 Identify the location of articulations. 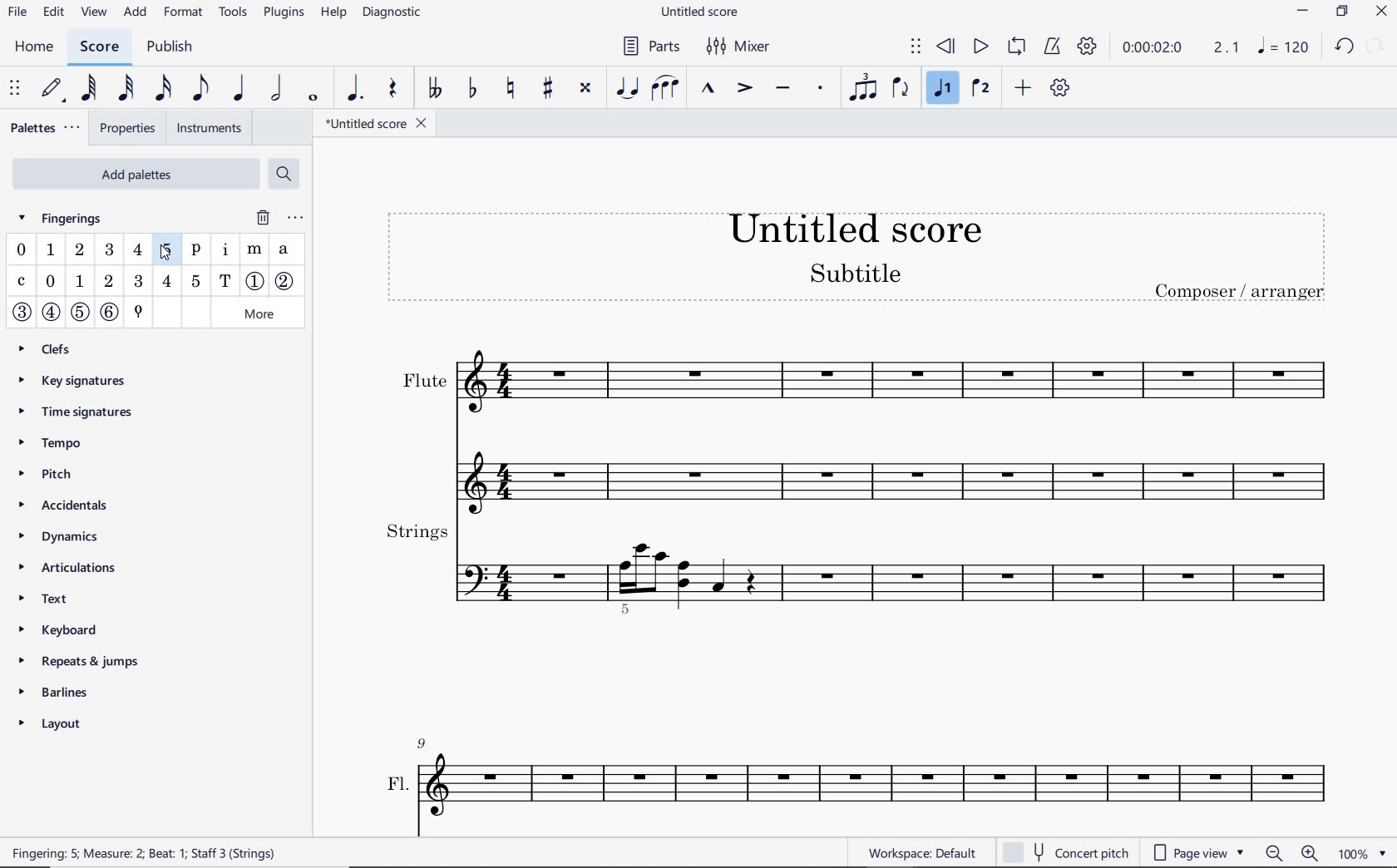
(76, 565).